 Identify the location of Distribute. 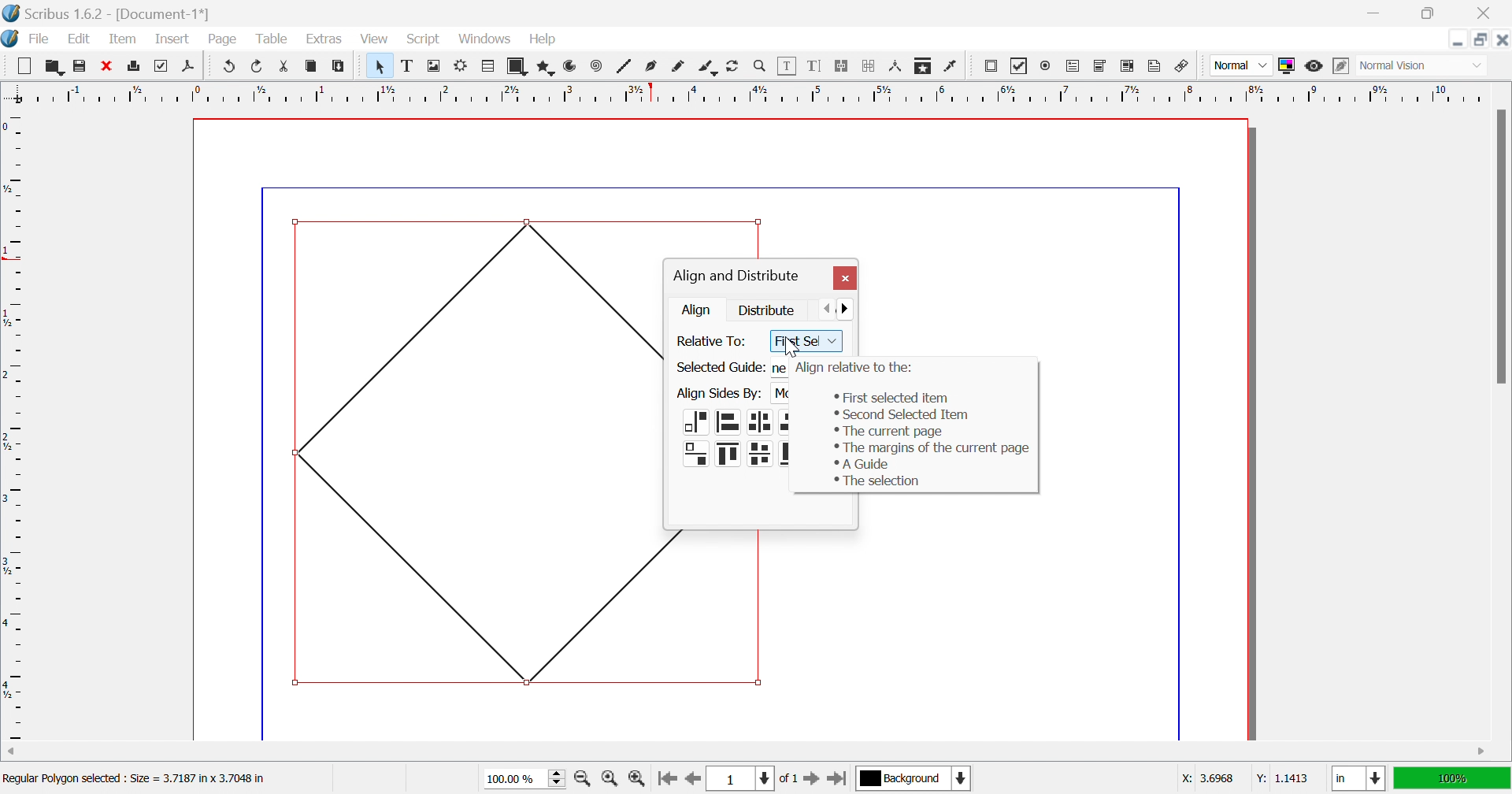
(768, 309).